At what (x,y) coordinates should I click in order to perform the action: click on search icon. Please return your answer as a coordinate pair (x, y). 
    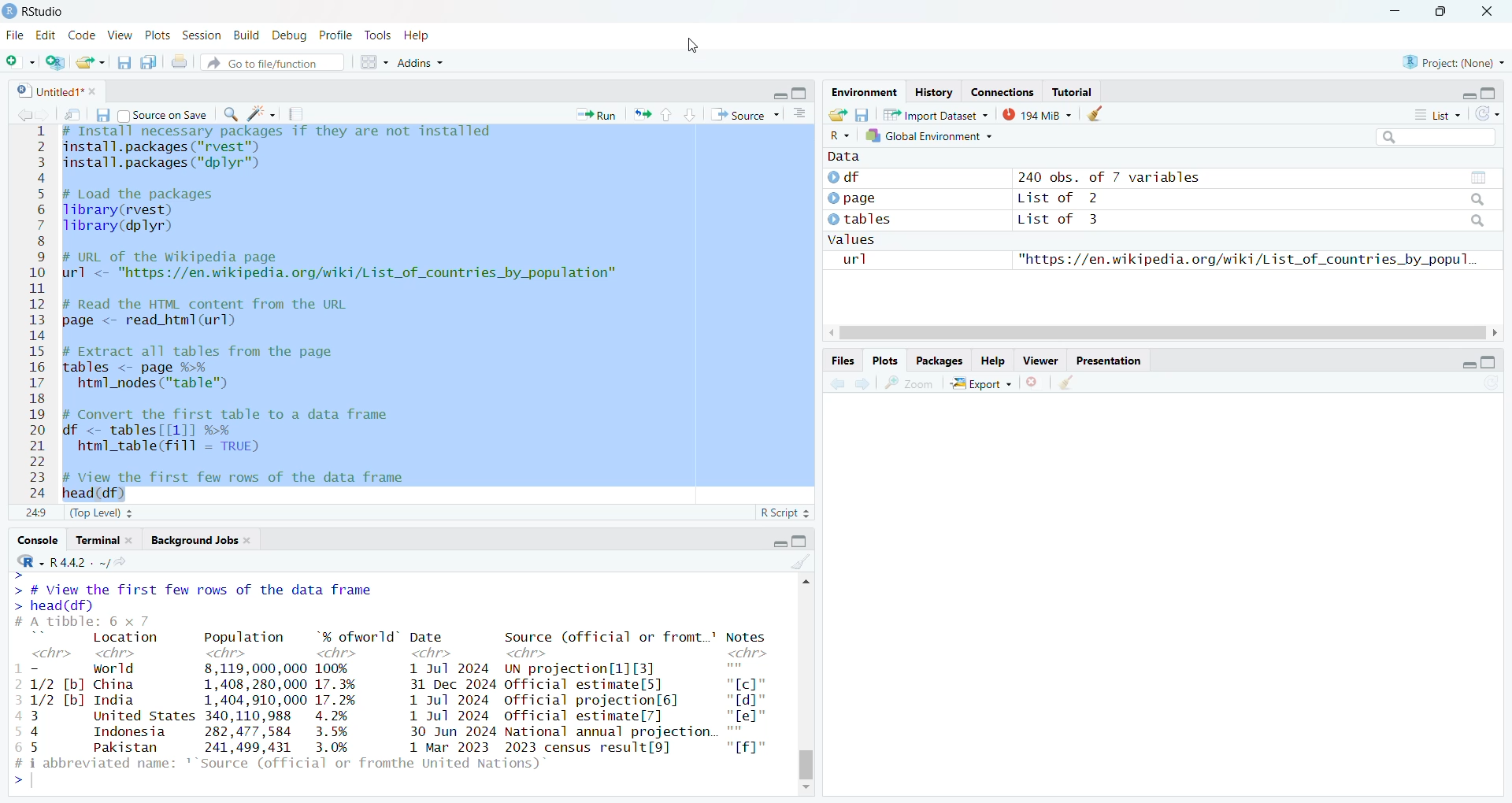
    Looking at the image, I should click on (1477, 221).